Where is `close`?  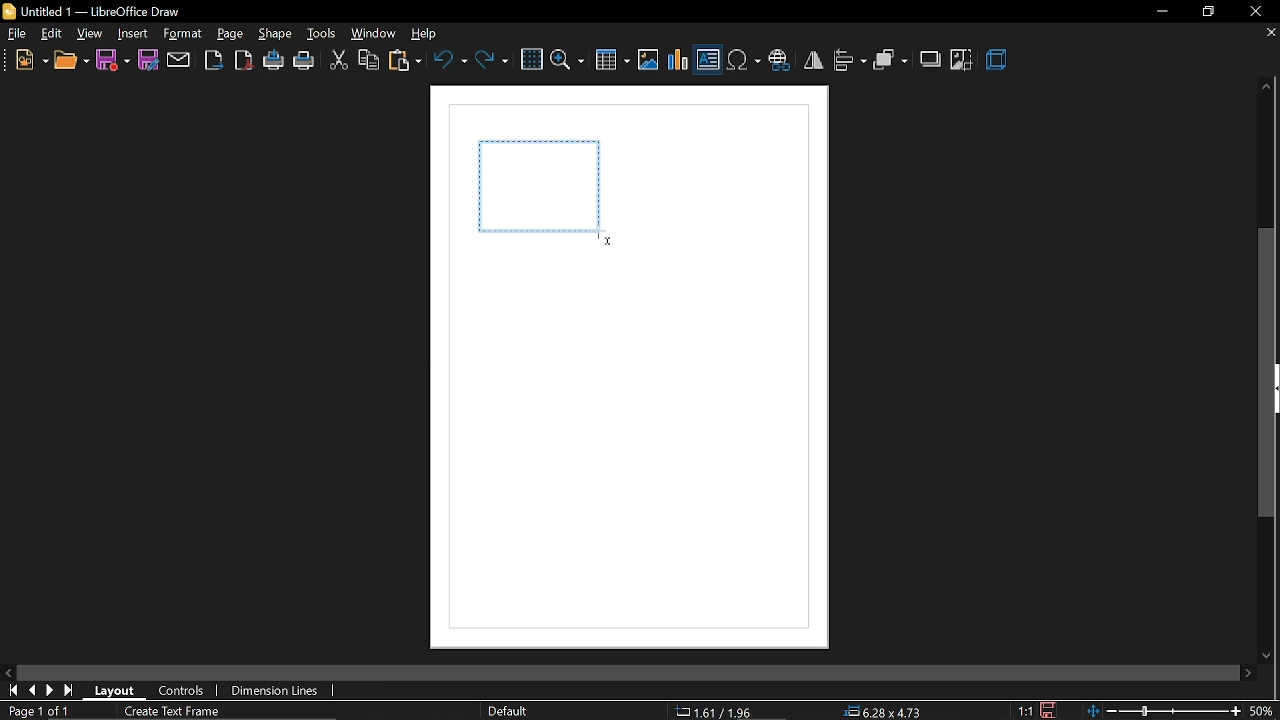
close is located at coordinates (1255, 12).